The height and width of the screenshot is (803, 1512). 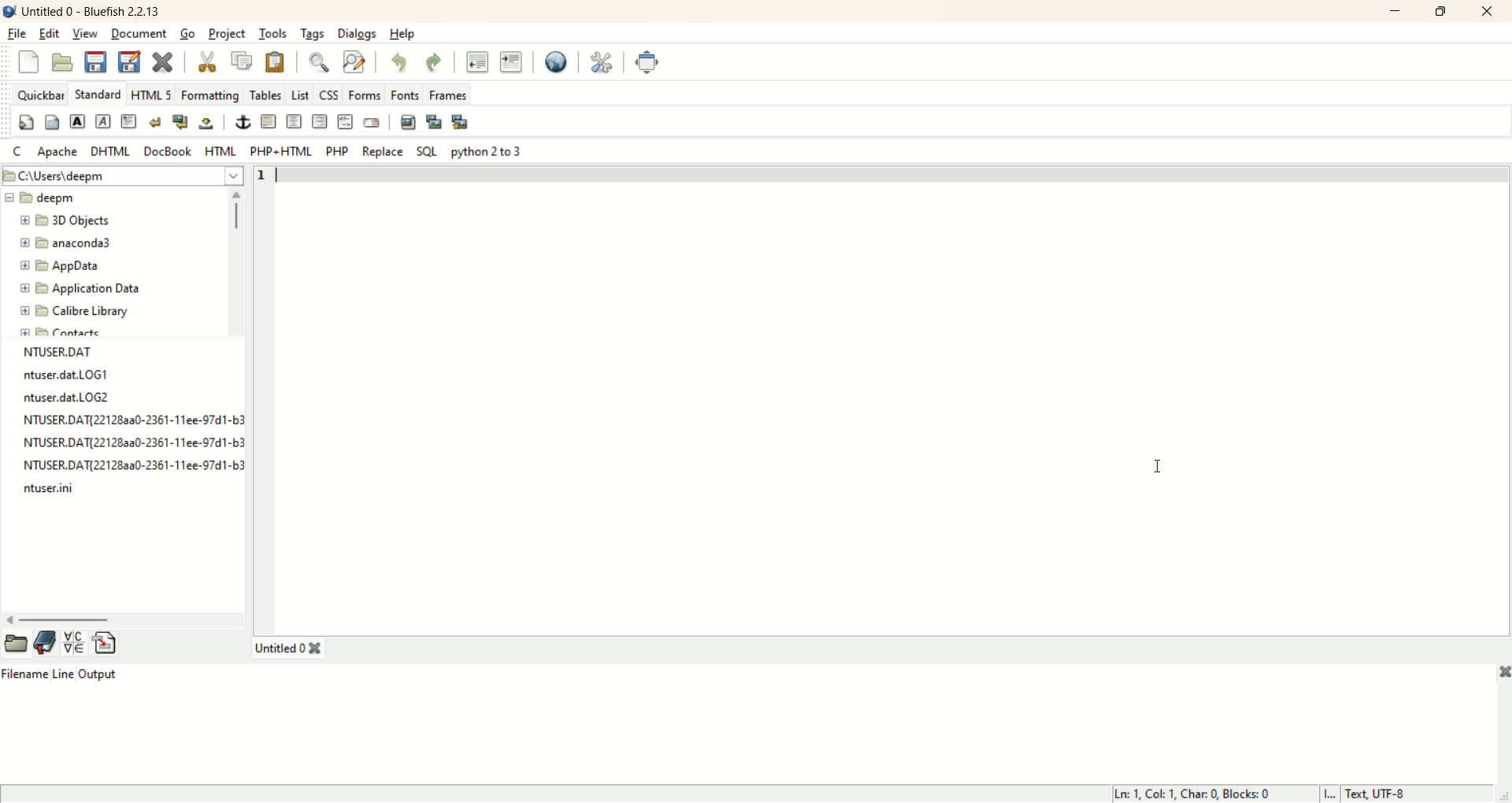 I want to click on new, so click(x=28, y=62).